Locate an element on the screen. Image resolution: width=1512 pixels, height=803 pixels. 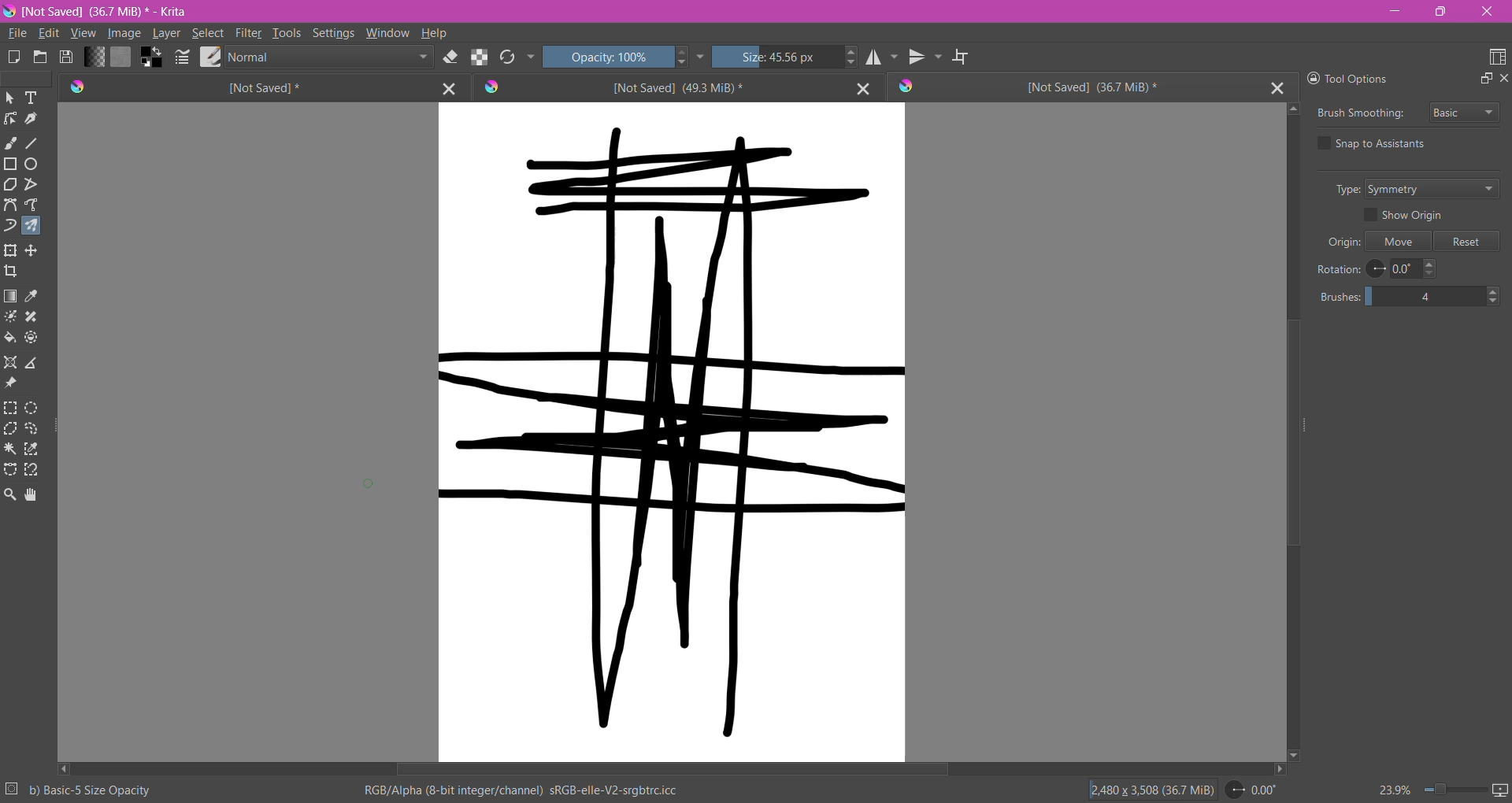
Polygonal Selection Tool is located at coordinates (11, 428).